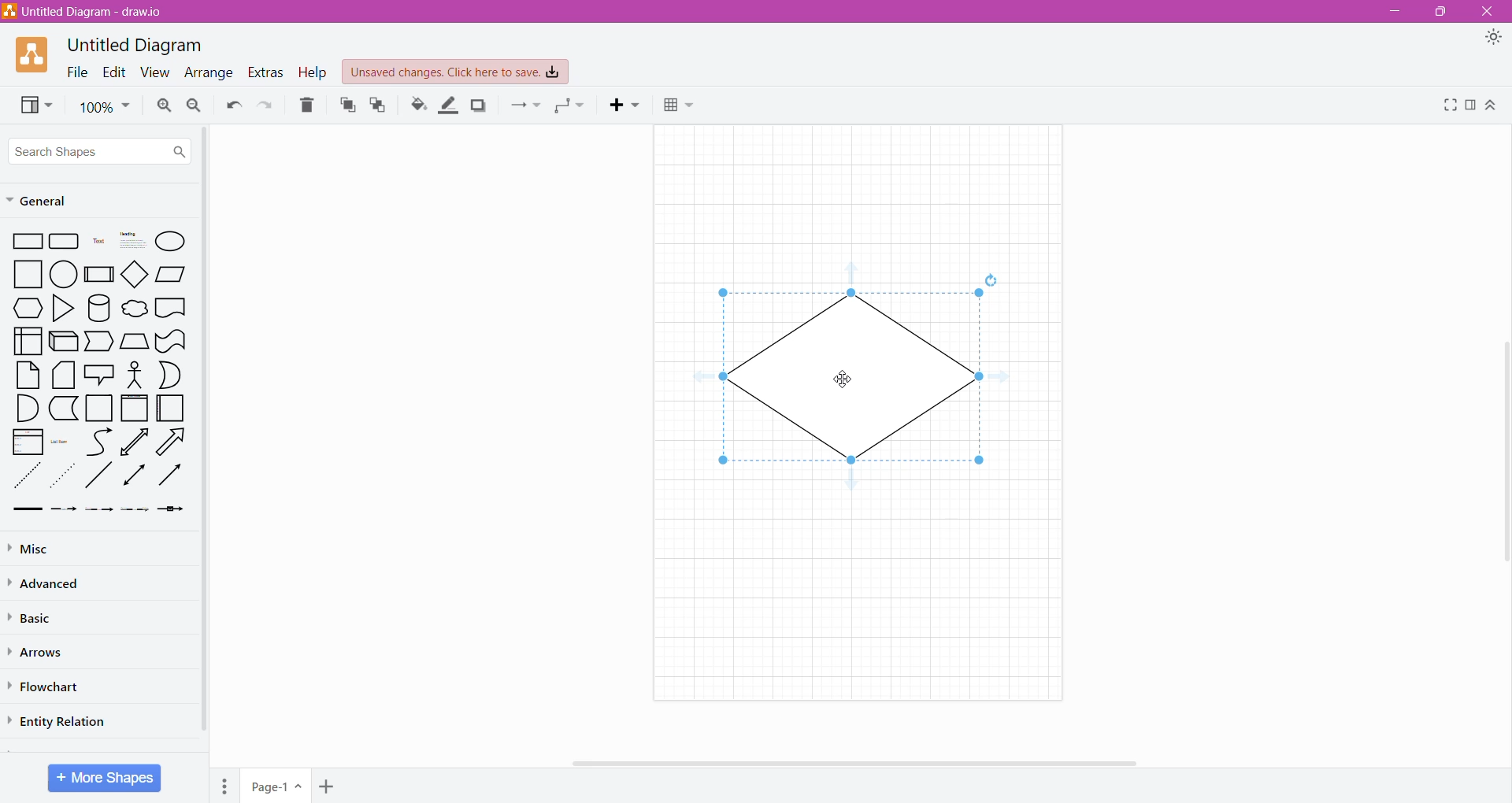  I want to click on Arrows, so click(39, 653).